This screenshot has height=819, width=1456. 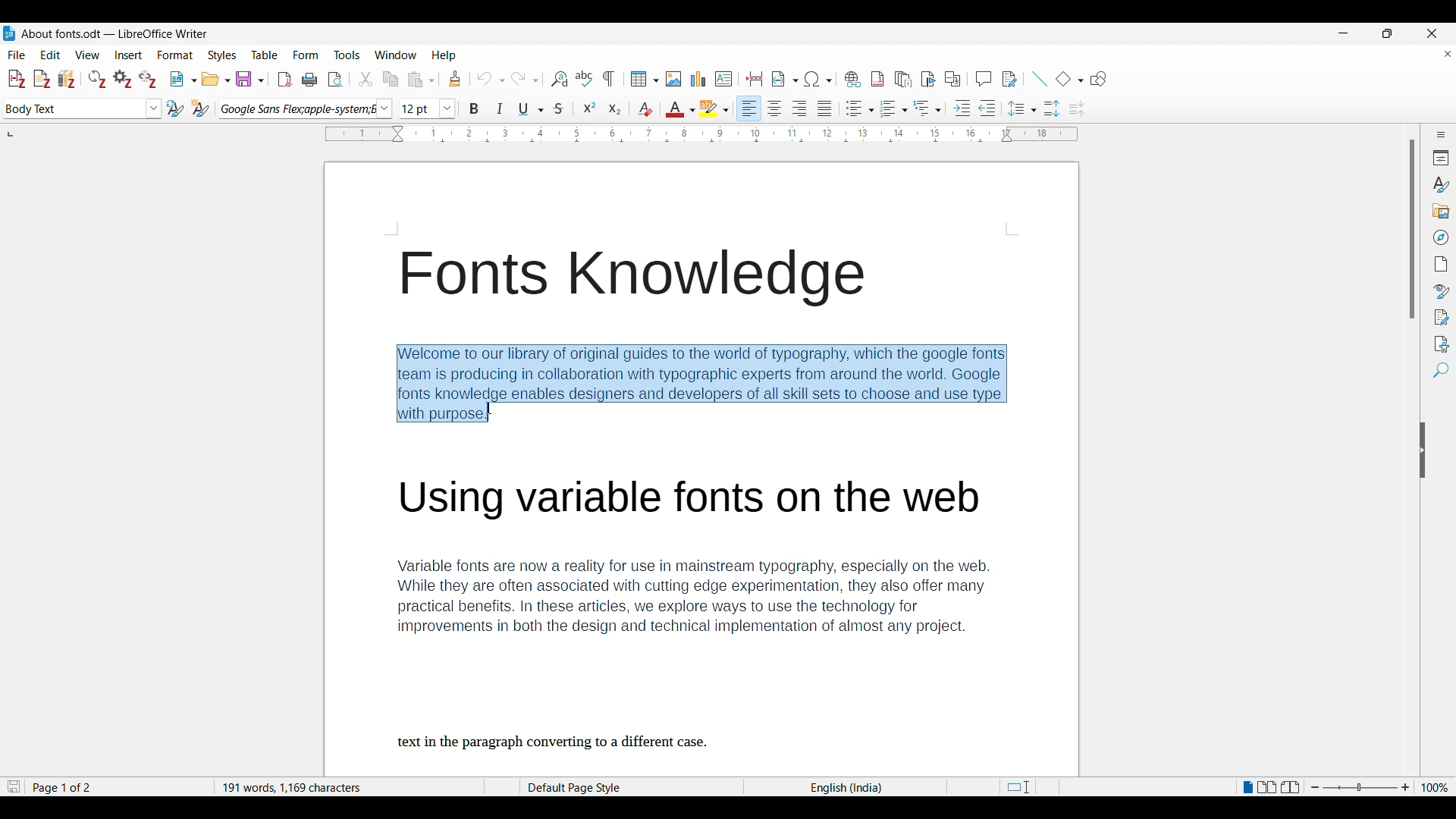 I want to click on Redo, so click(x=525, y=79).